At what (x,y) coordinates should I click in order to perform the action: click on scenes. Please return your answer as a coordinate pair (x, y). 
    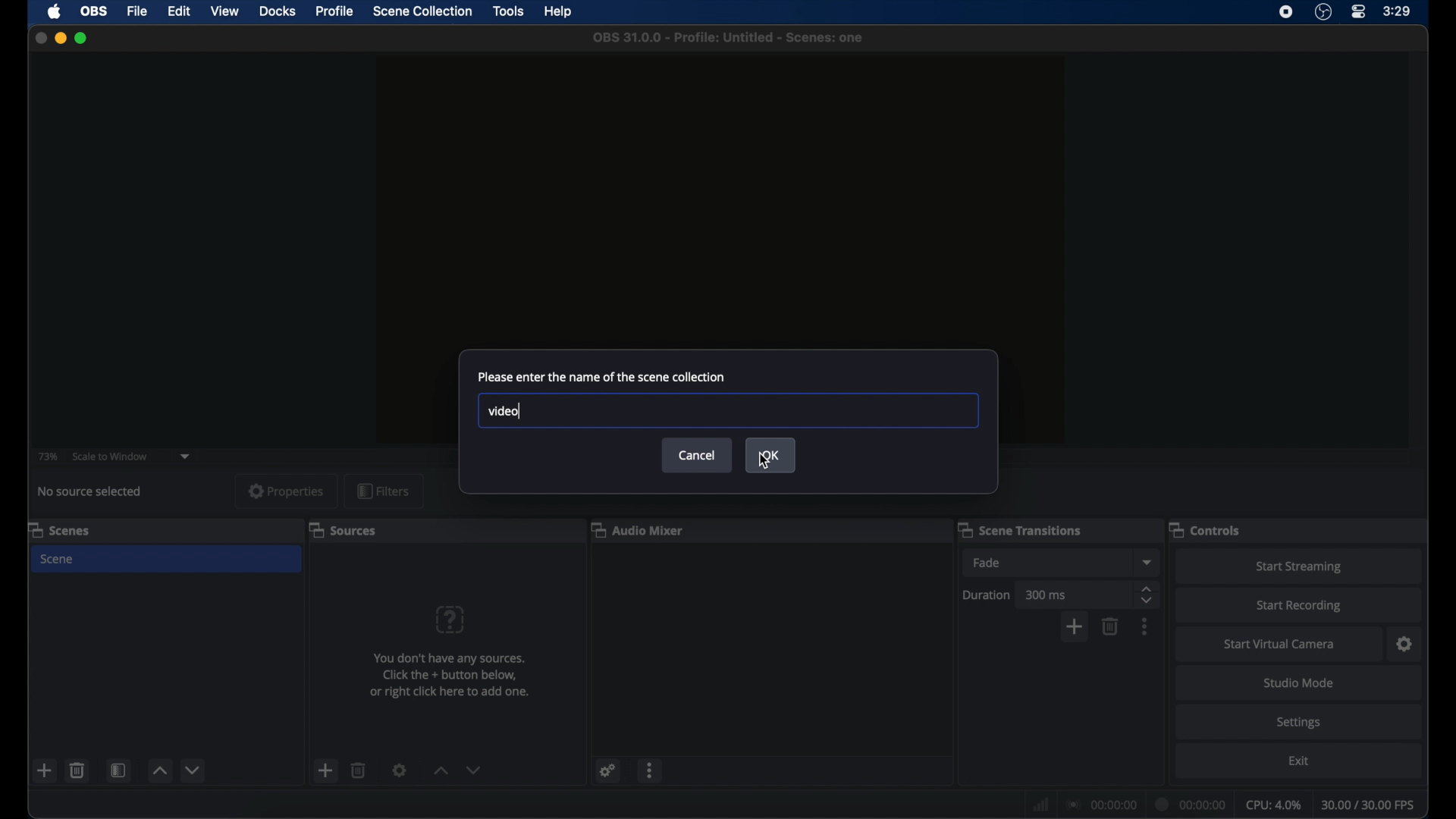
    Looking at the image, I should click on (60, 529).